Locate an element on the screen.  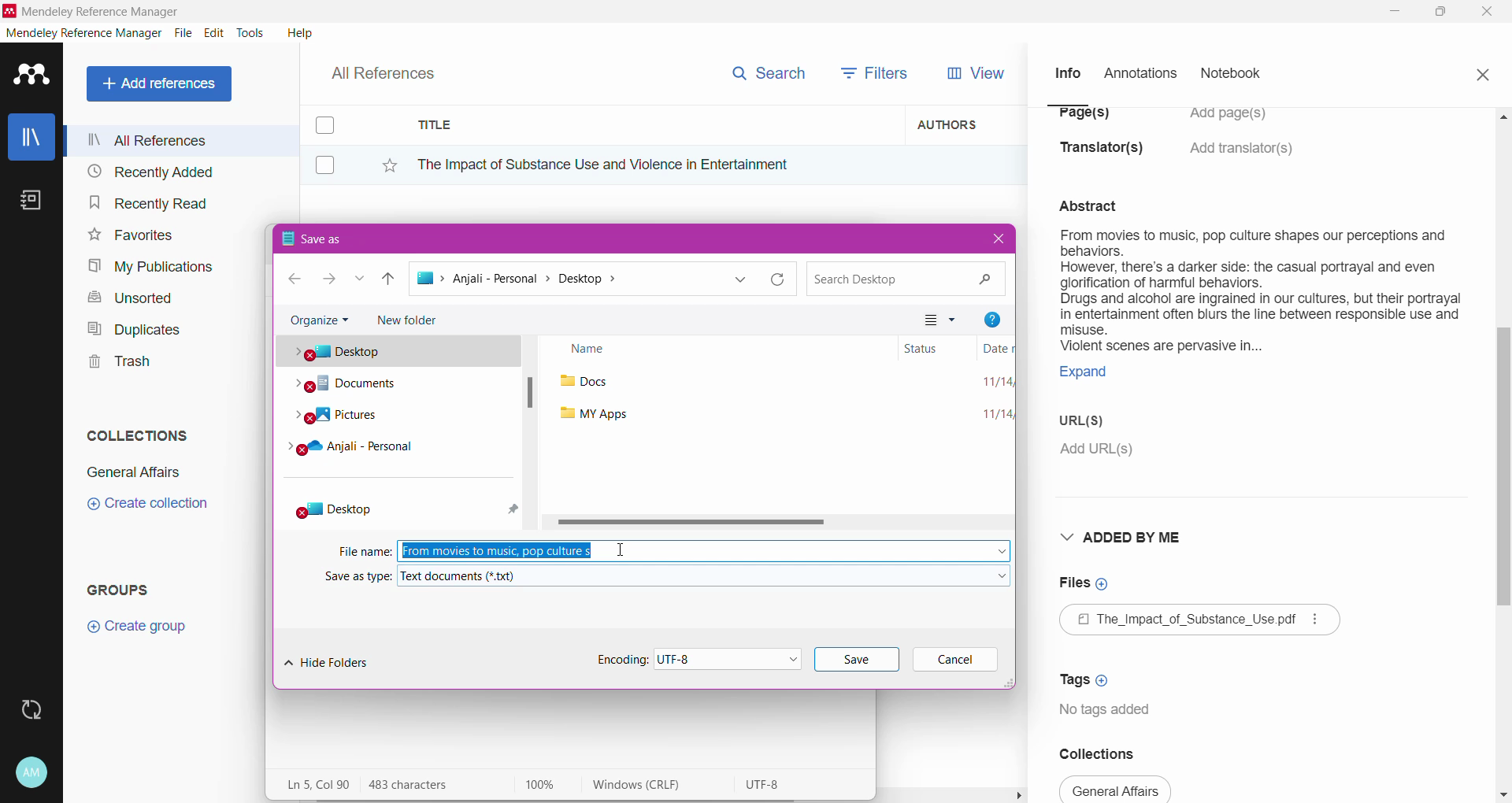
Click to Add Files is located at coordinates (1084, 584).